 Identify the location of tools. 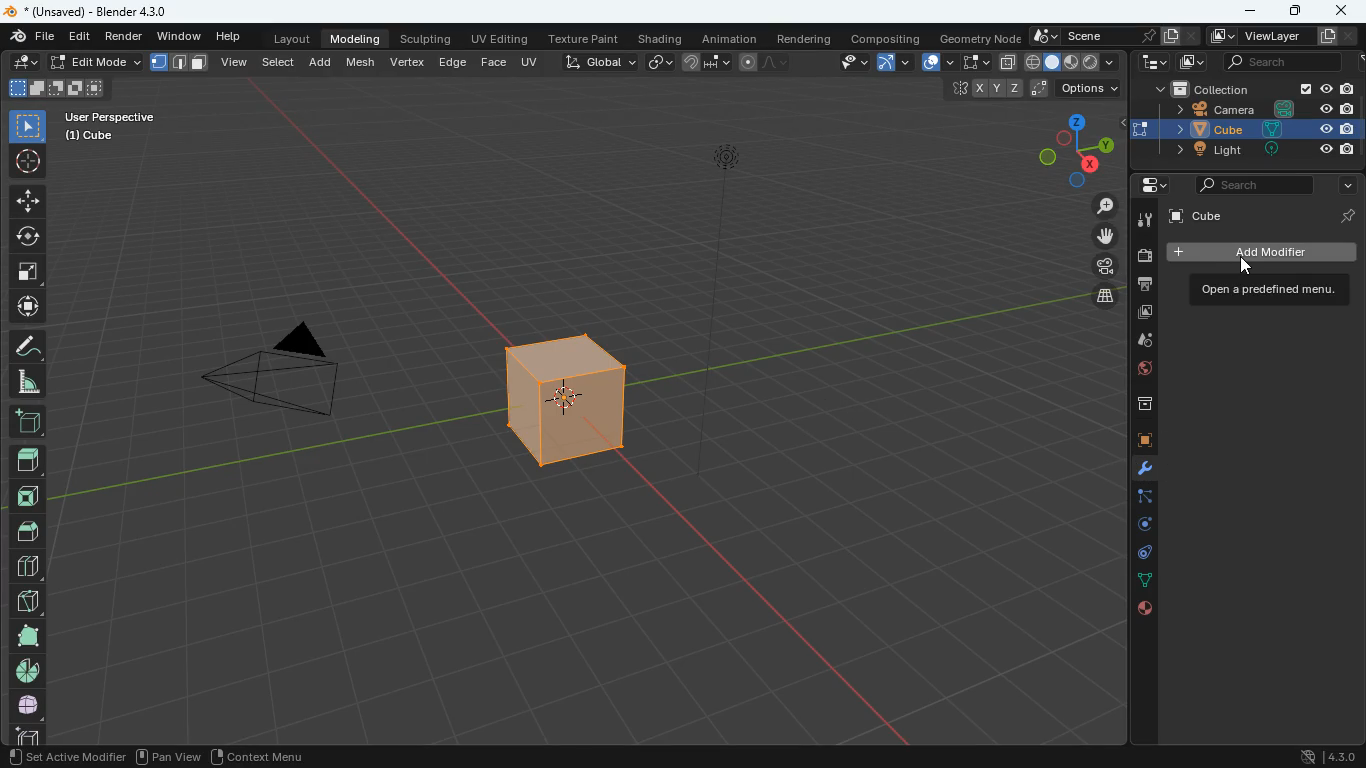
(1135, 471).